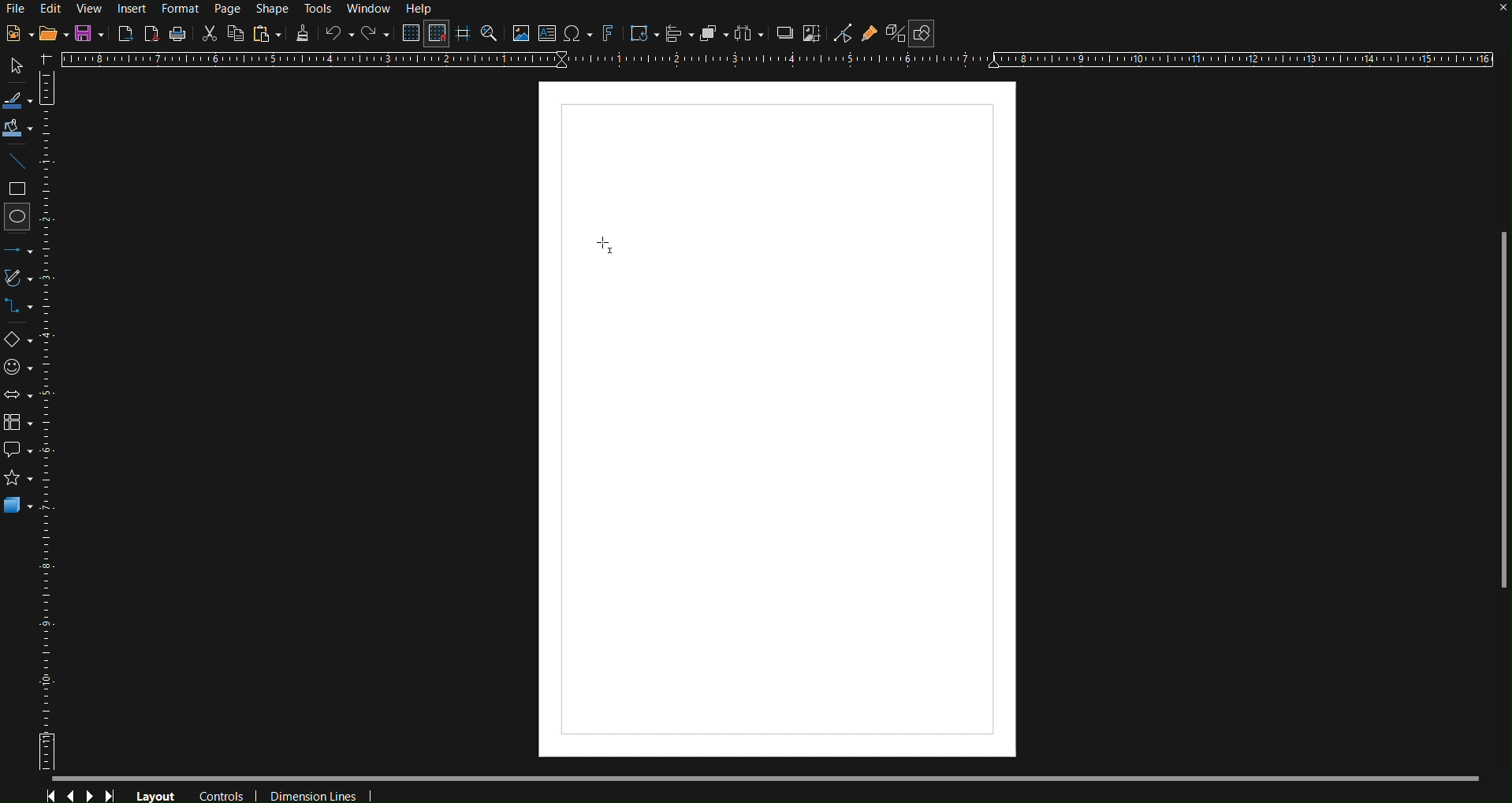  What do you see at coordinates (520, 35) in the screenshot?
I see `Insert Image` at bounding box center [520, 35].